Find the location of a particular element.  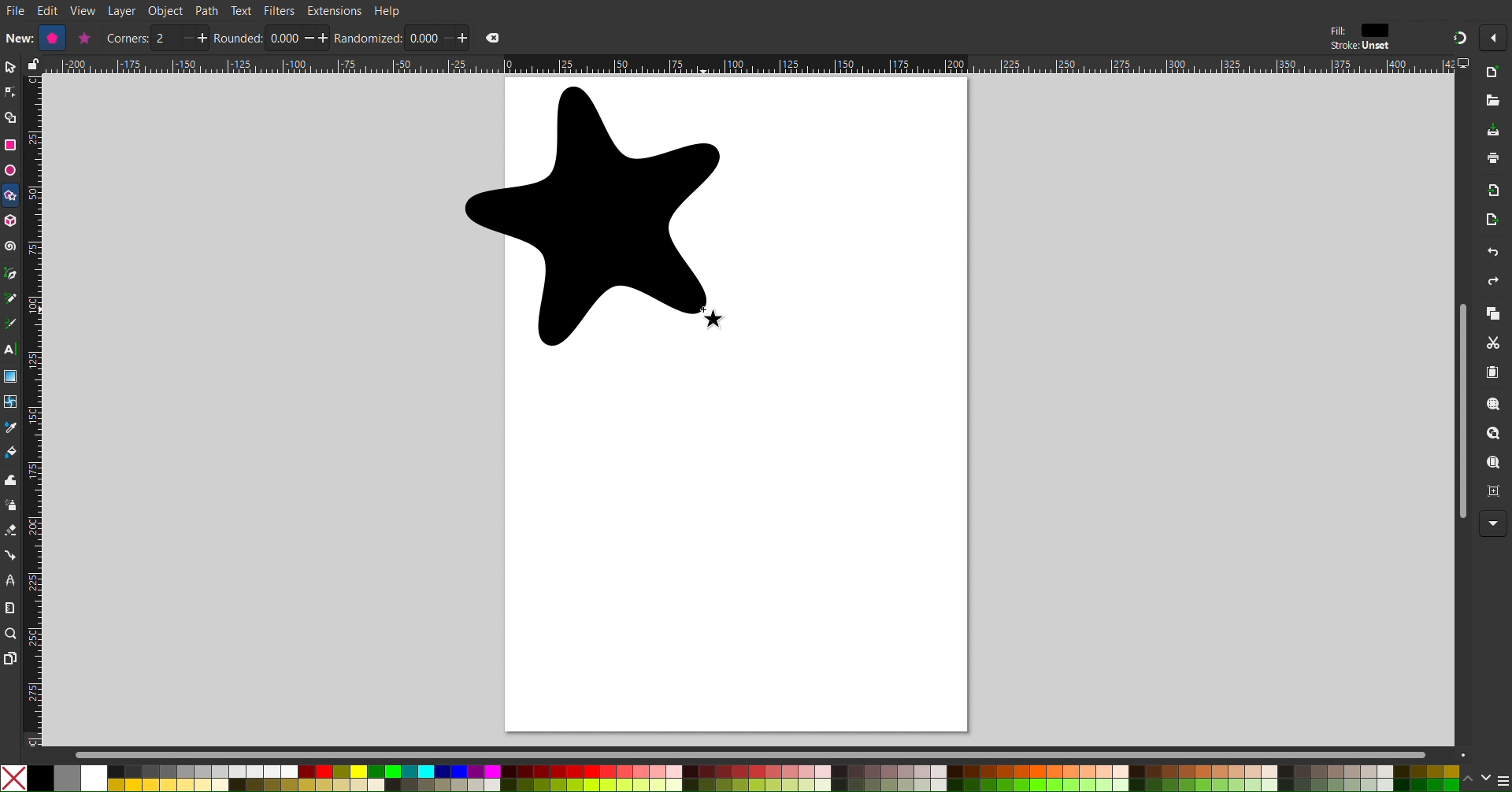

0 is located at coordinates (283, 39).